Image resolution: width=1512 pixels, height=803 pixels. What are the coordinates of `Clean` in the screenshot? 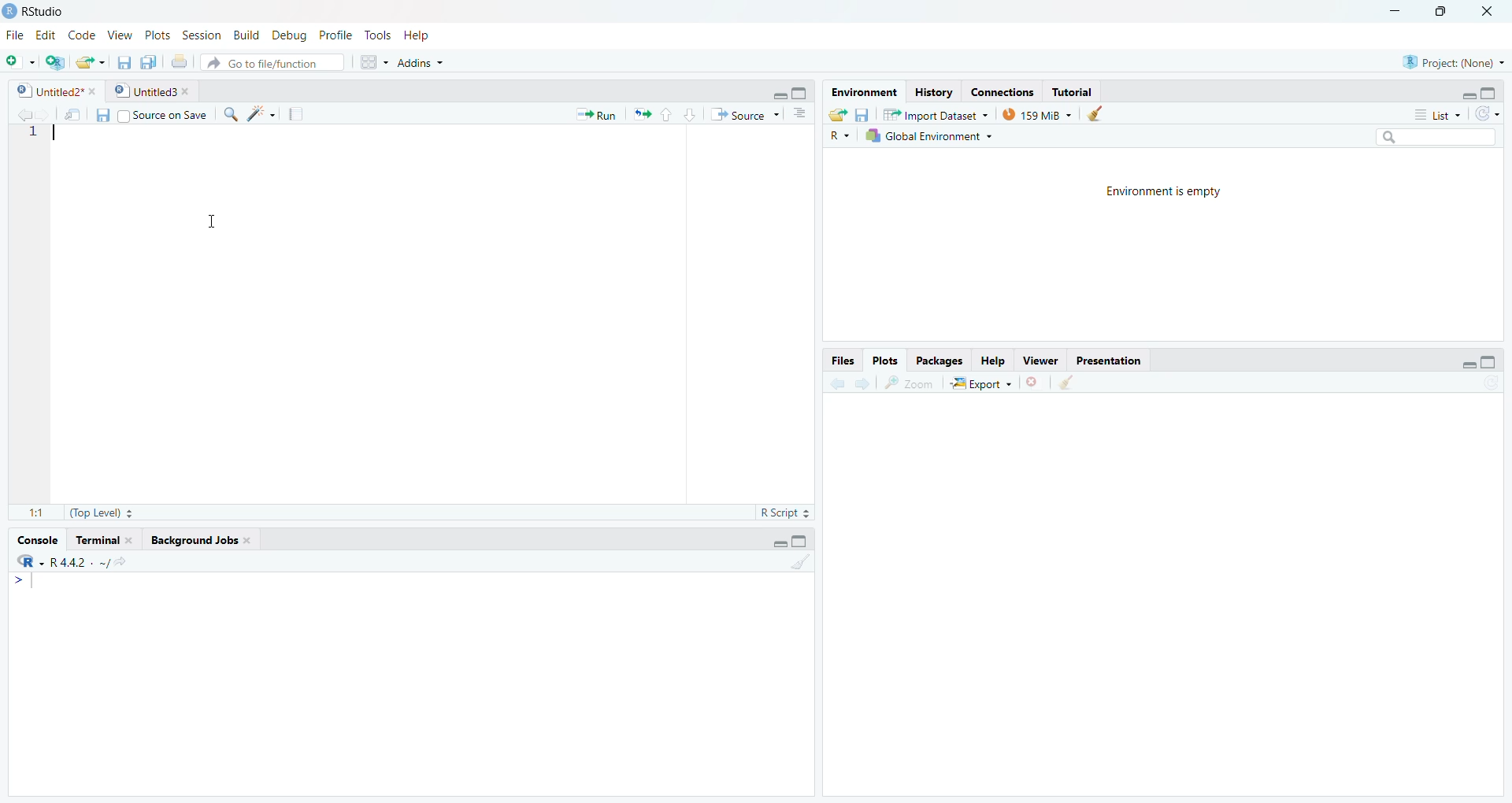 It's located at (1067, 383).